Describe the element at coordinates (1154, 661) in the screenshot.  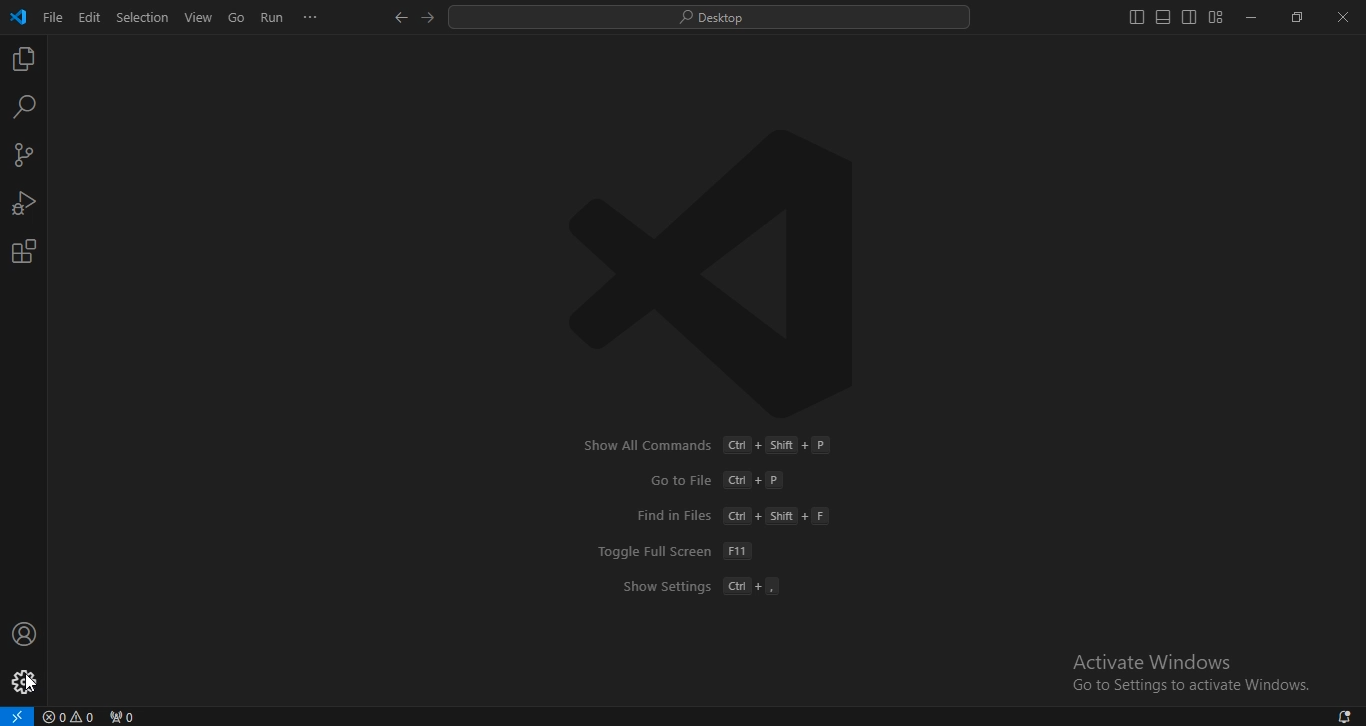
I see `text` at that location.